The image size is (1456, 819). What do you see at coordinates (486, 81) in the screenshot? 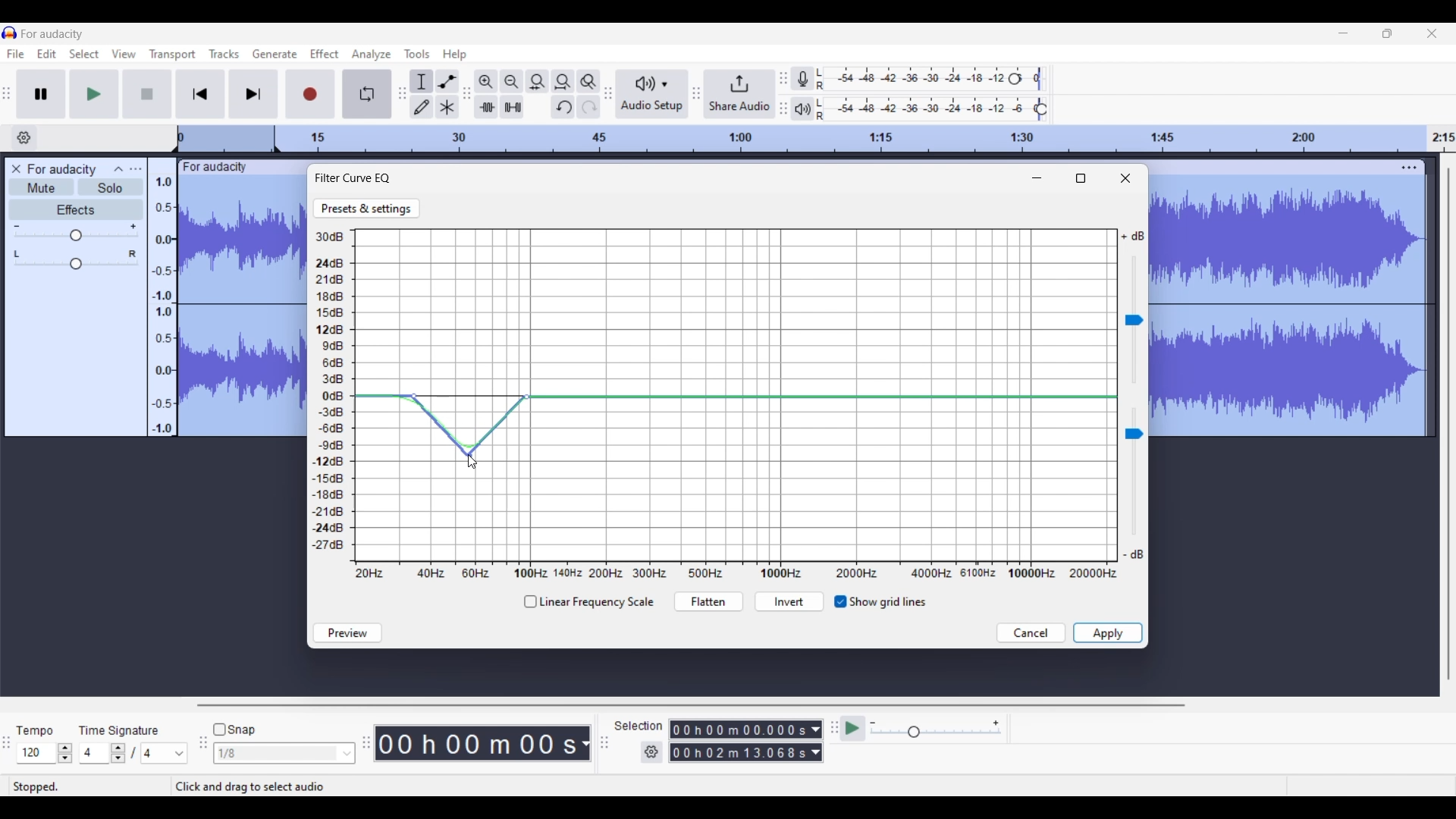
I see `Zoom in` at bounding box center [486, 81].